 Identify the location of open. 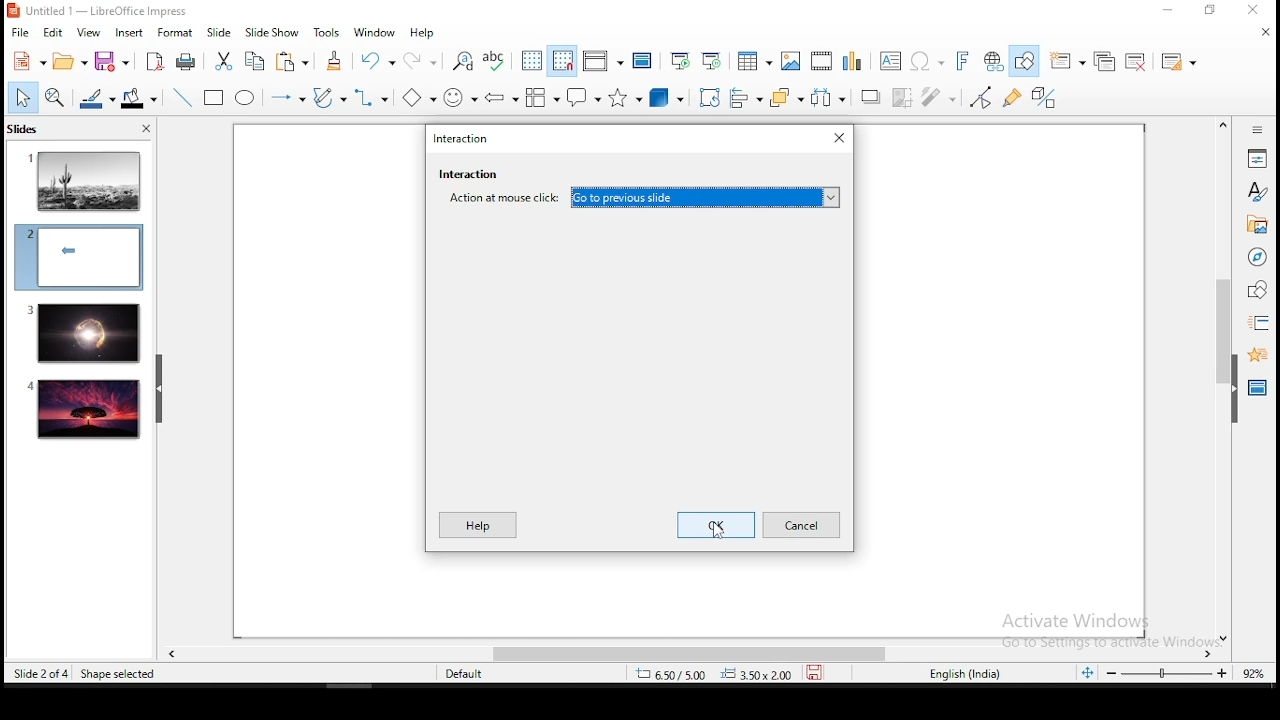
(70, 63).